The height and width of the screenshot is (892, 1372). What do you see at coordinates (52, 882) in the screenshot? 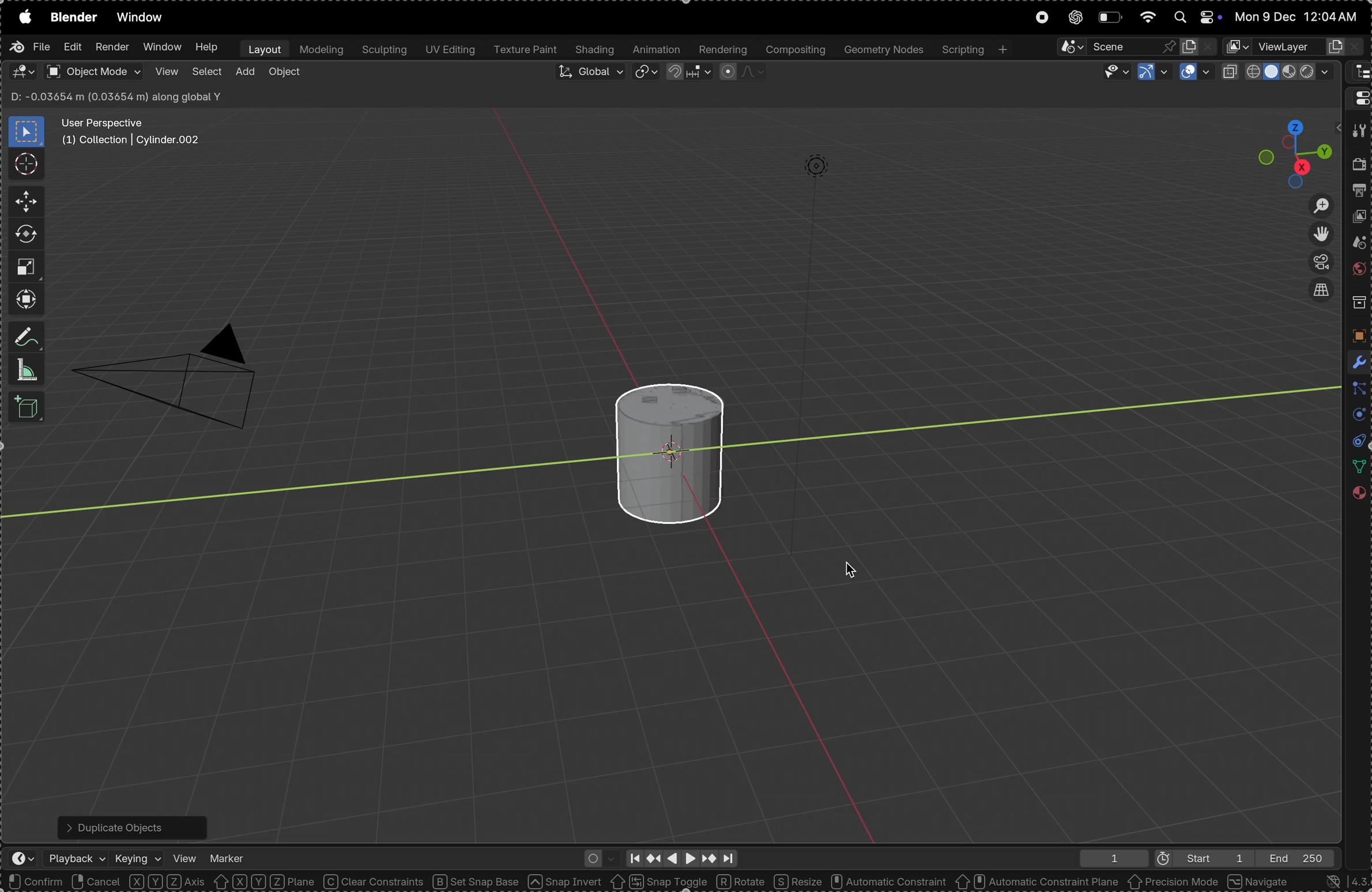
I see `select toggle` at bounding box center [52, 882].